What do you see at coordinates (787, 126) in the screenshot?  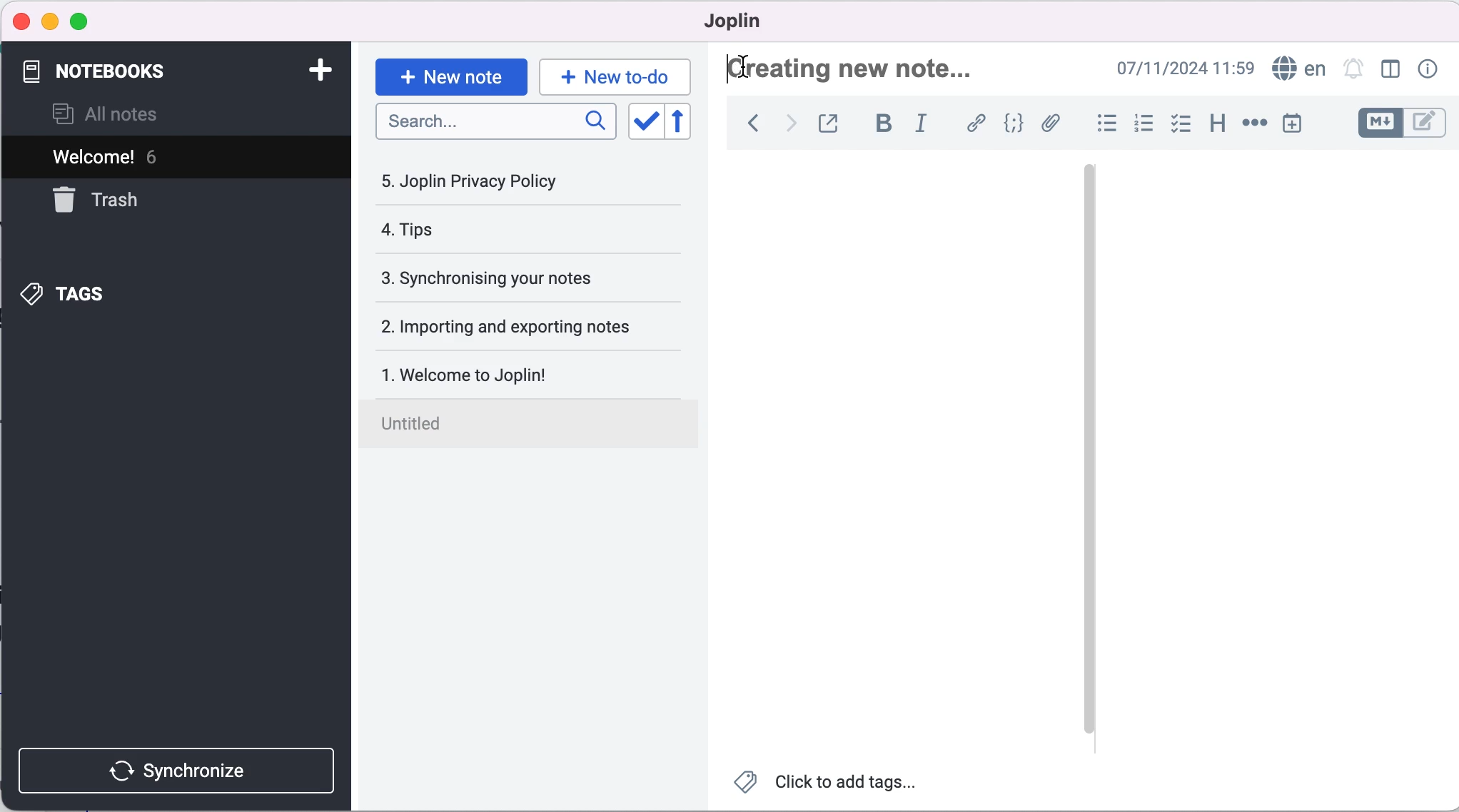 I see `forward` at bounding box center [787, 126].